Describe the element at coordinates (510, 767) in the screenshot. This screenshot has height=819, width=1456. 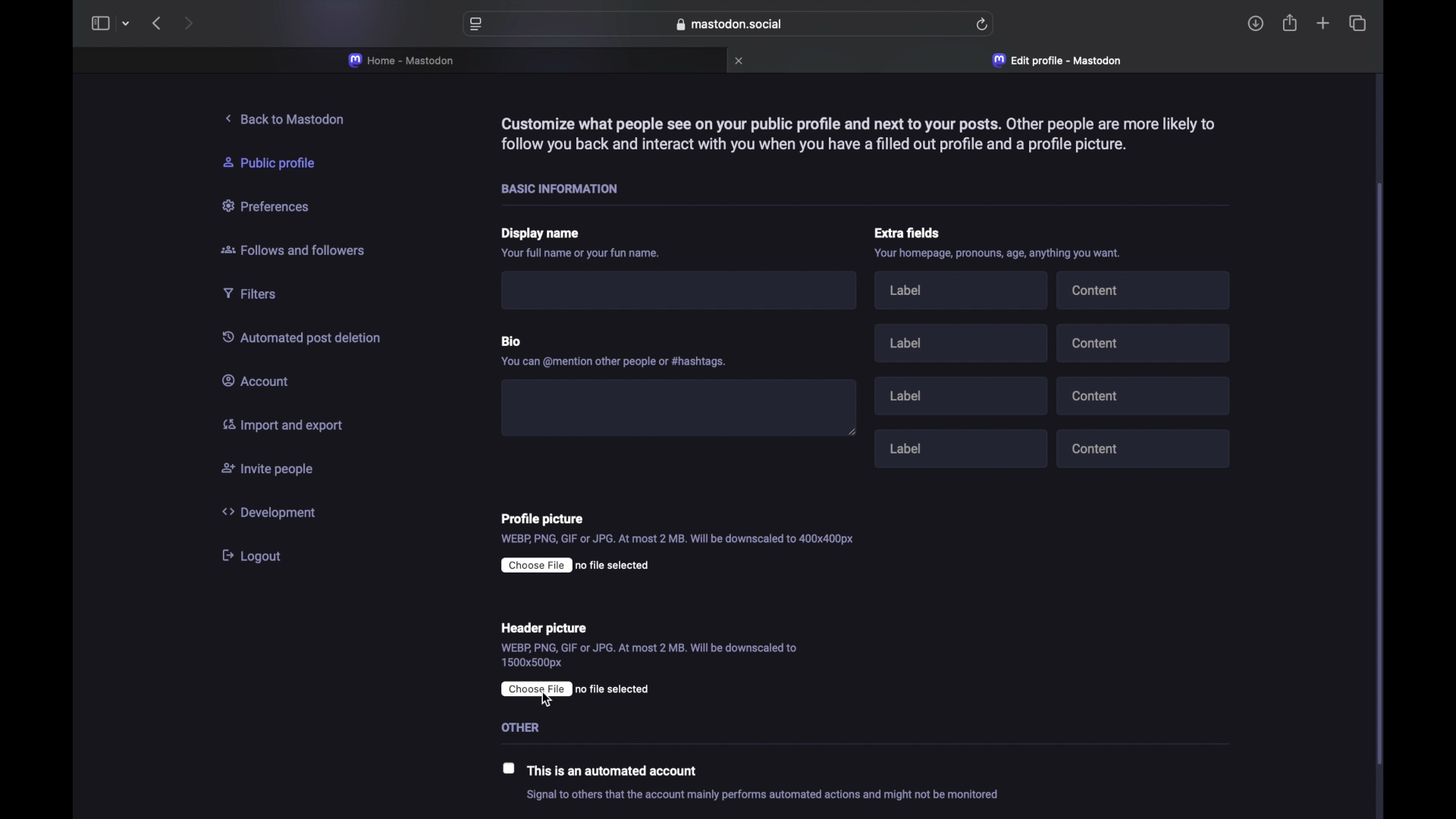
I see `checkbox` at that location.